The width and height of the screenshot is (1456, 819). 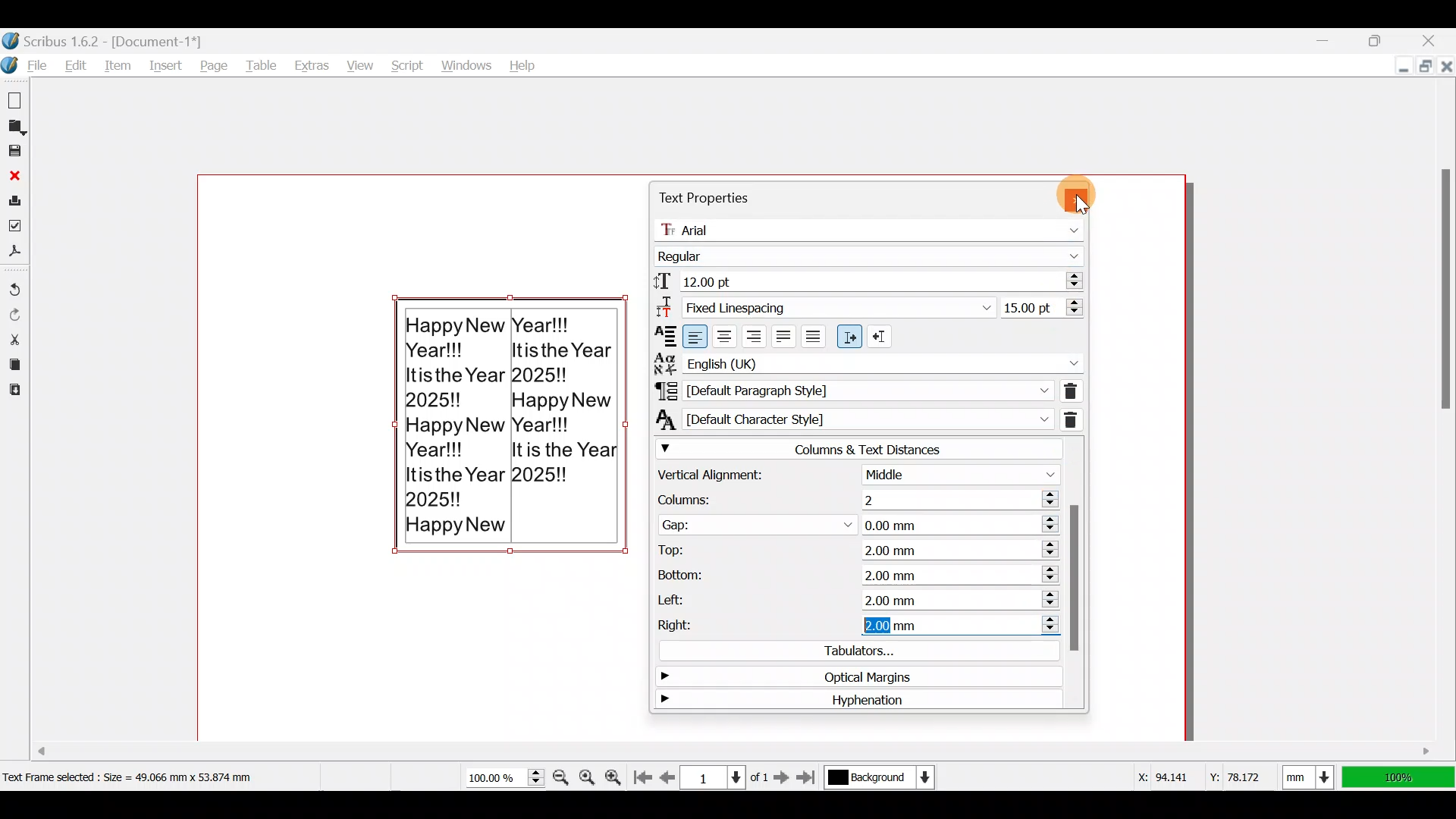 I want to click on Select current layer, so click(x=878, y=778).